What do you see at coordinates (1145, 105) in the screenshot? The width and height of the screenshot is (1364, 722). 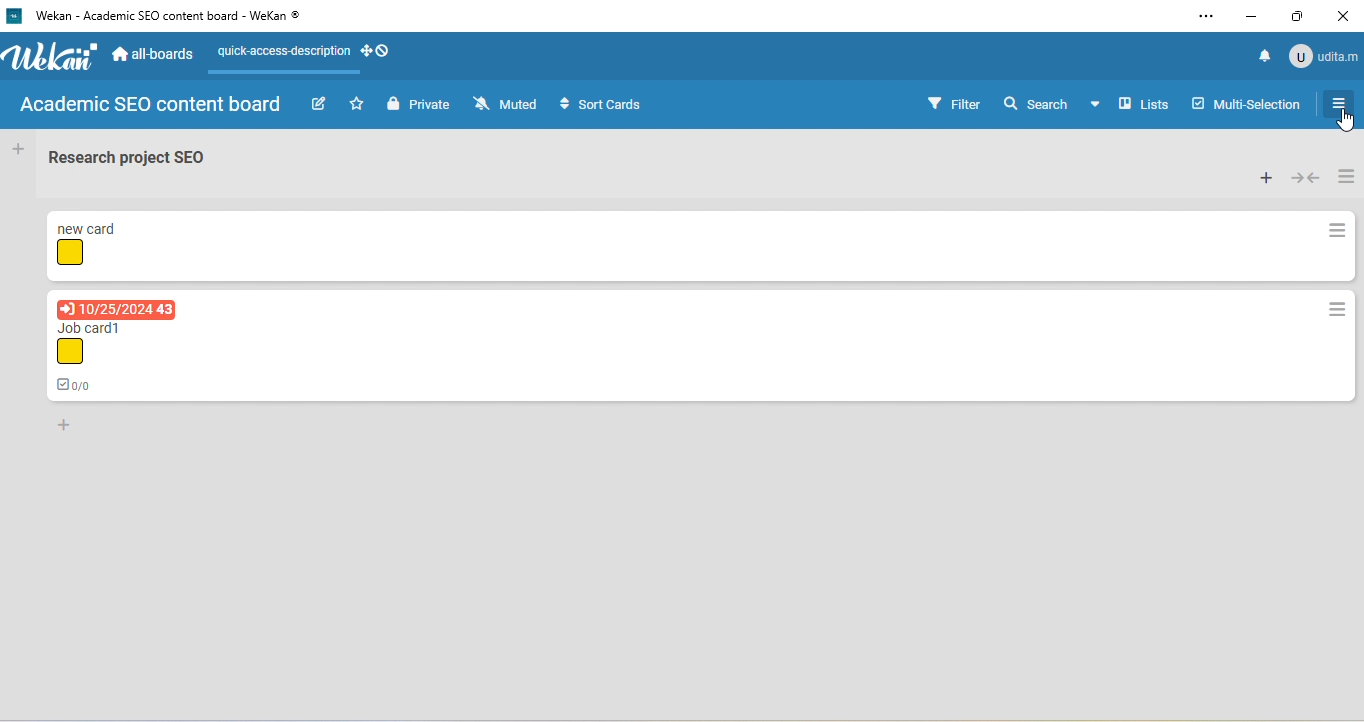 I see `lists` at bounding box center [1145, 105].